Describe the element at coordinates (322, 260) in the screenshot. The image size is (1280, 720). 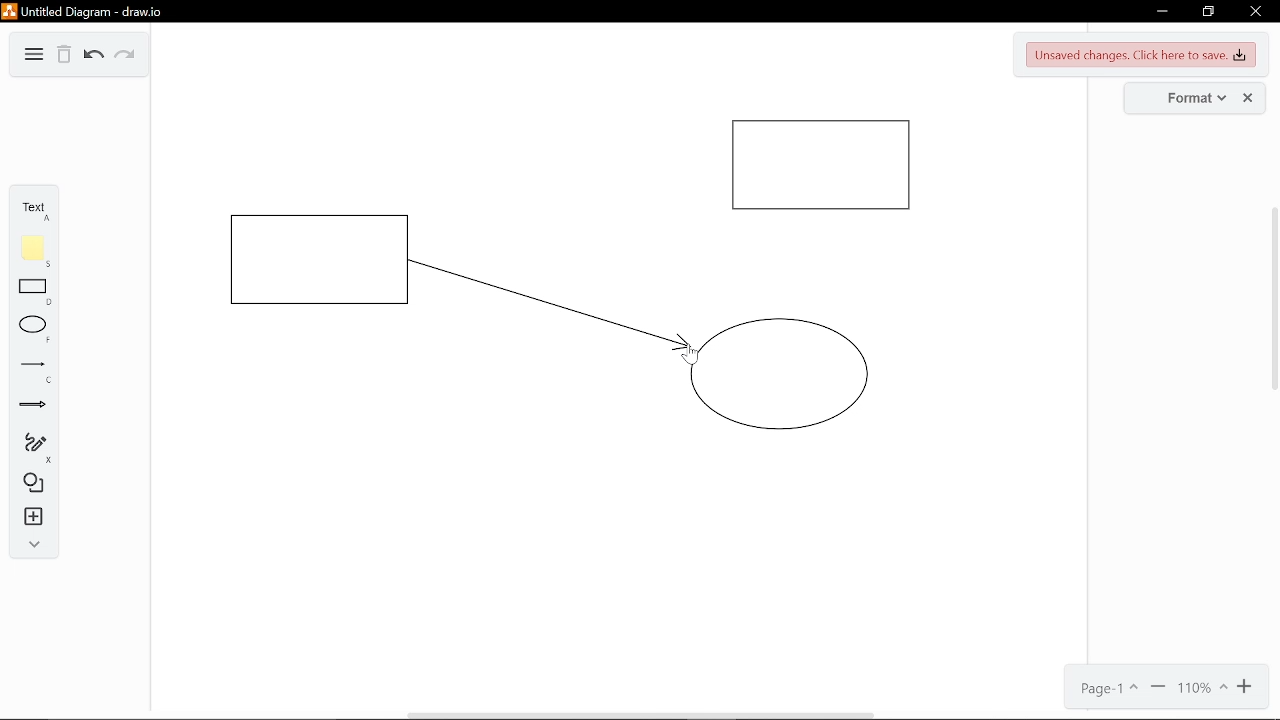
I see `Rectangle` at that location.